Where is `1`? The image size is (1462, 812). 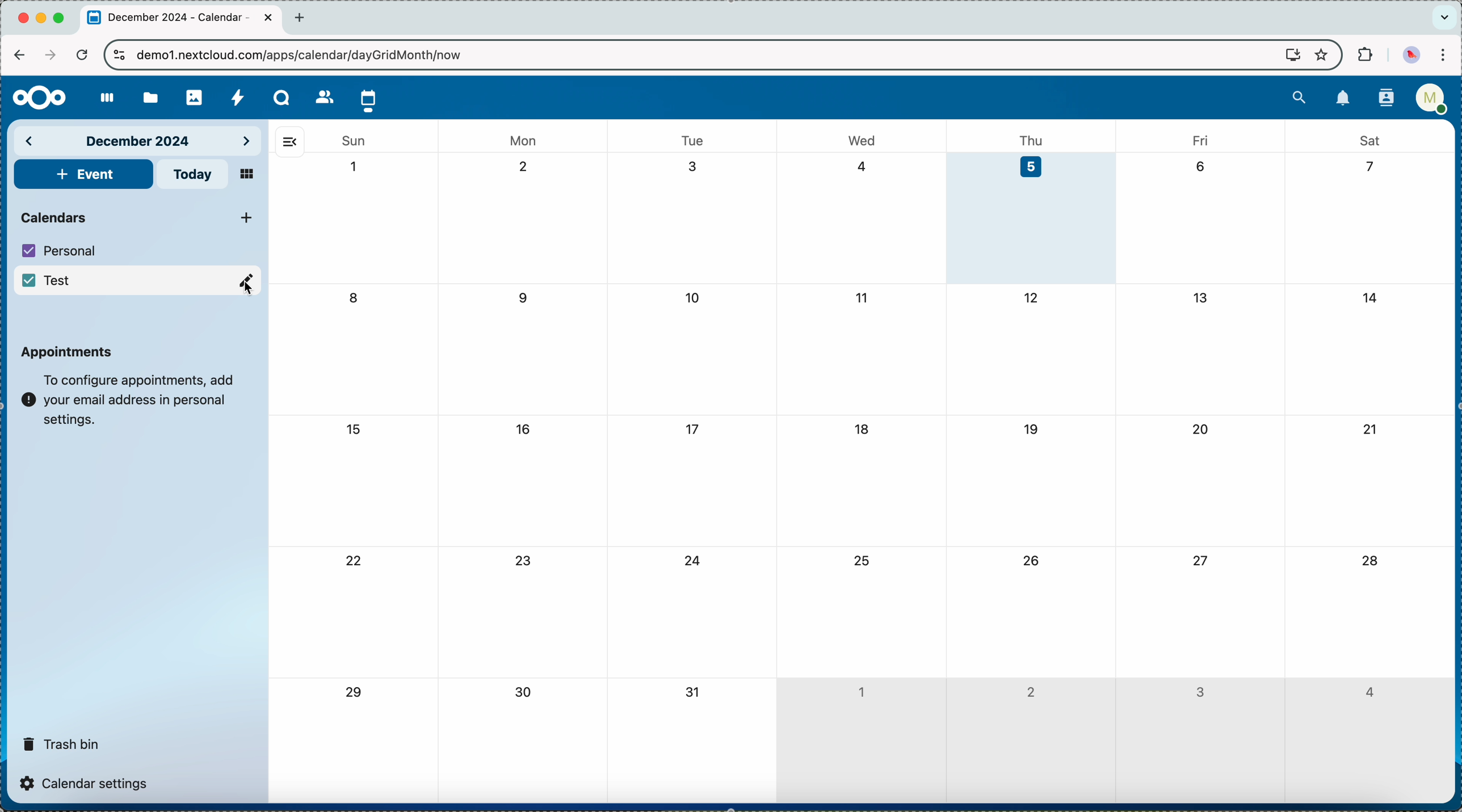
1 is located at coordinates (860, 689).